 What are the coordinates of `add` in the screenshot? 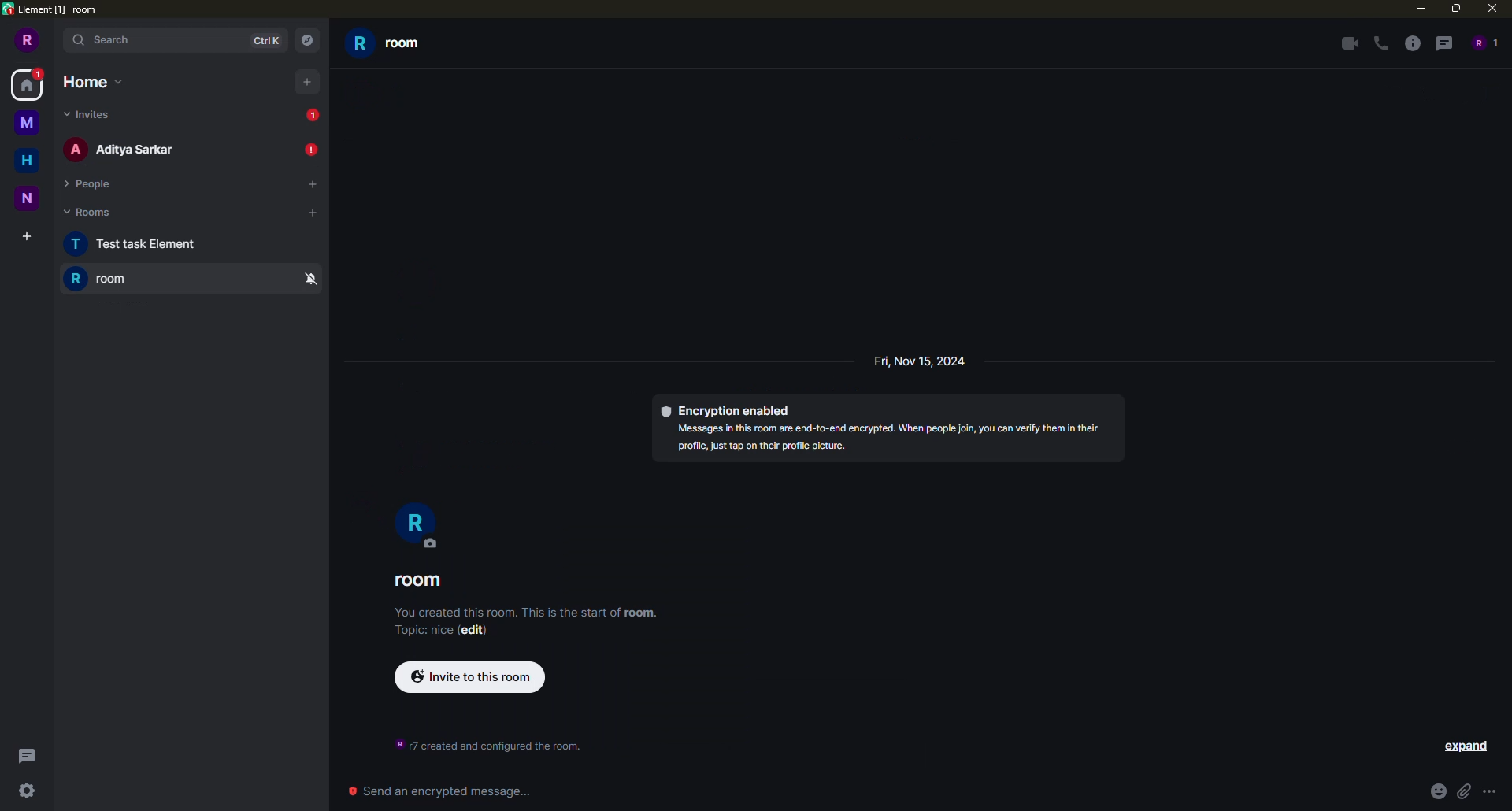 It's located at (308, 83).